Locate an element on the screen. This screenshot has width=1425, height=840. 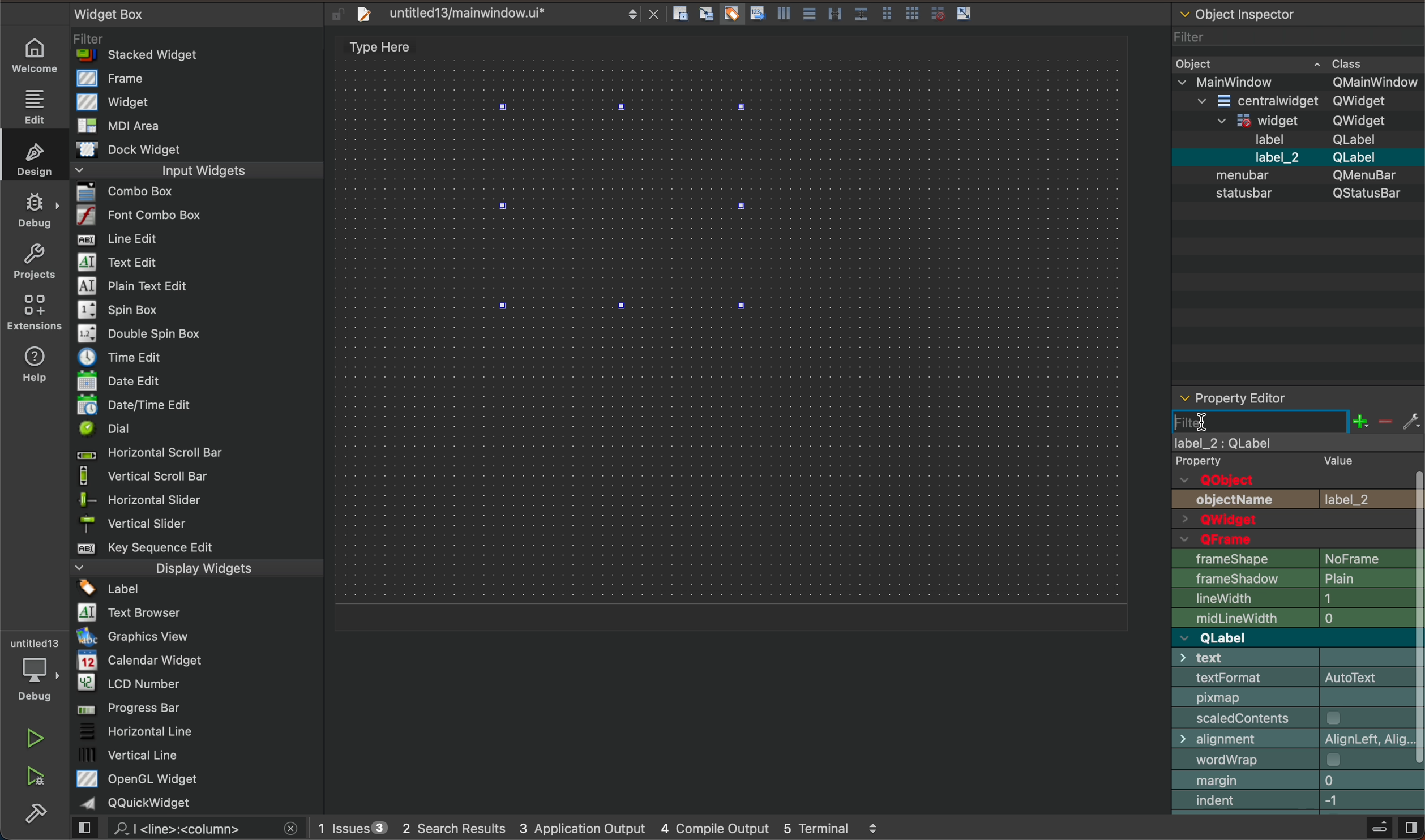
debug is located at coordinates (34, 206).